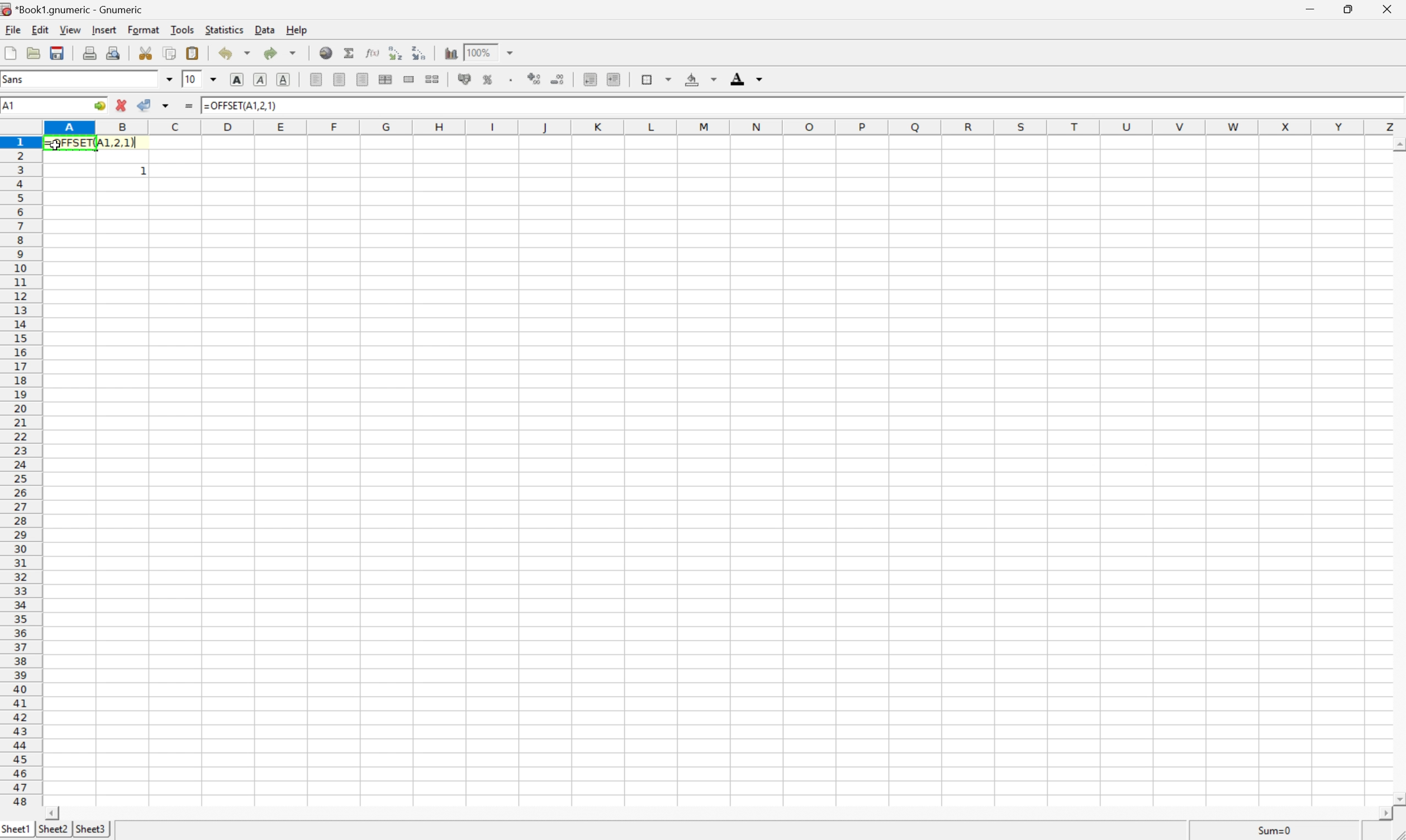 The image size is (1406, 840). What do you see at coordinates (1348, 10) in the screenshot?
I see `restore down` at bounding box center [1348, 10].